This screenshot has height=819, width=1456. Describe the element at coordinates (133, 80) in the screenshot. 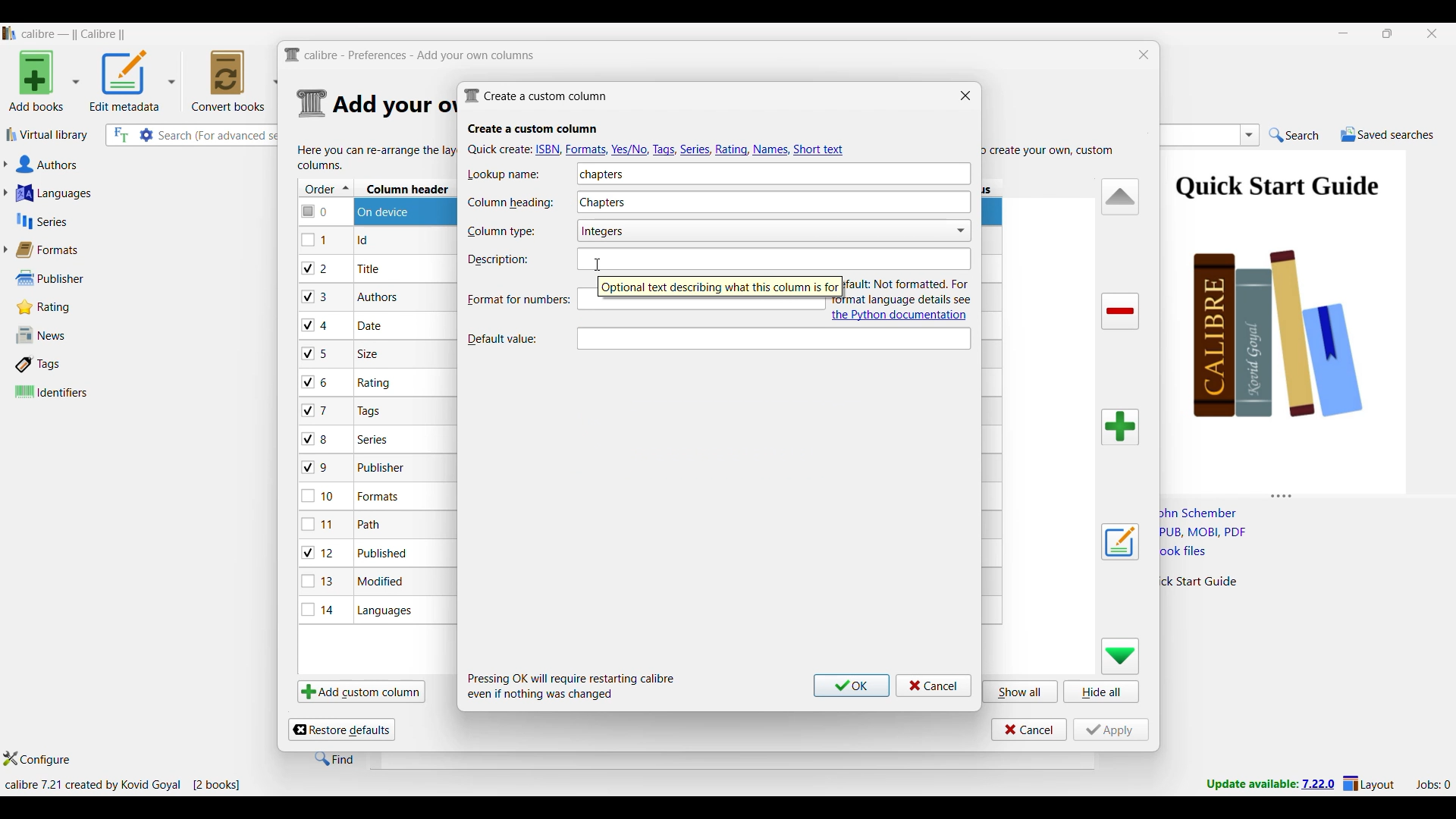

I see `Options to edit metadata` at that location.